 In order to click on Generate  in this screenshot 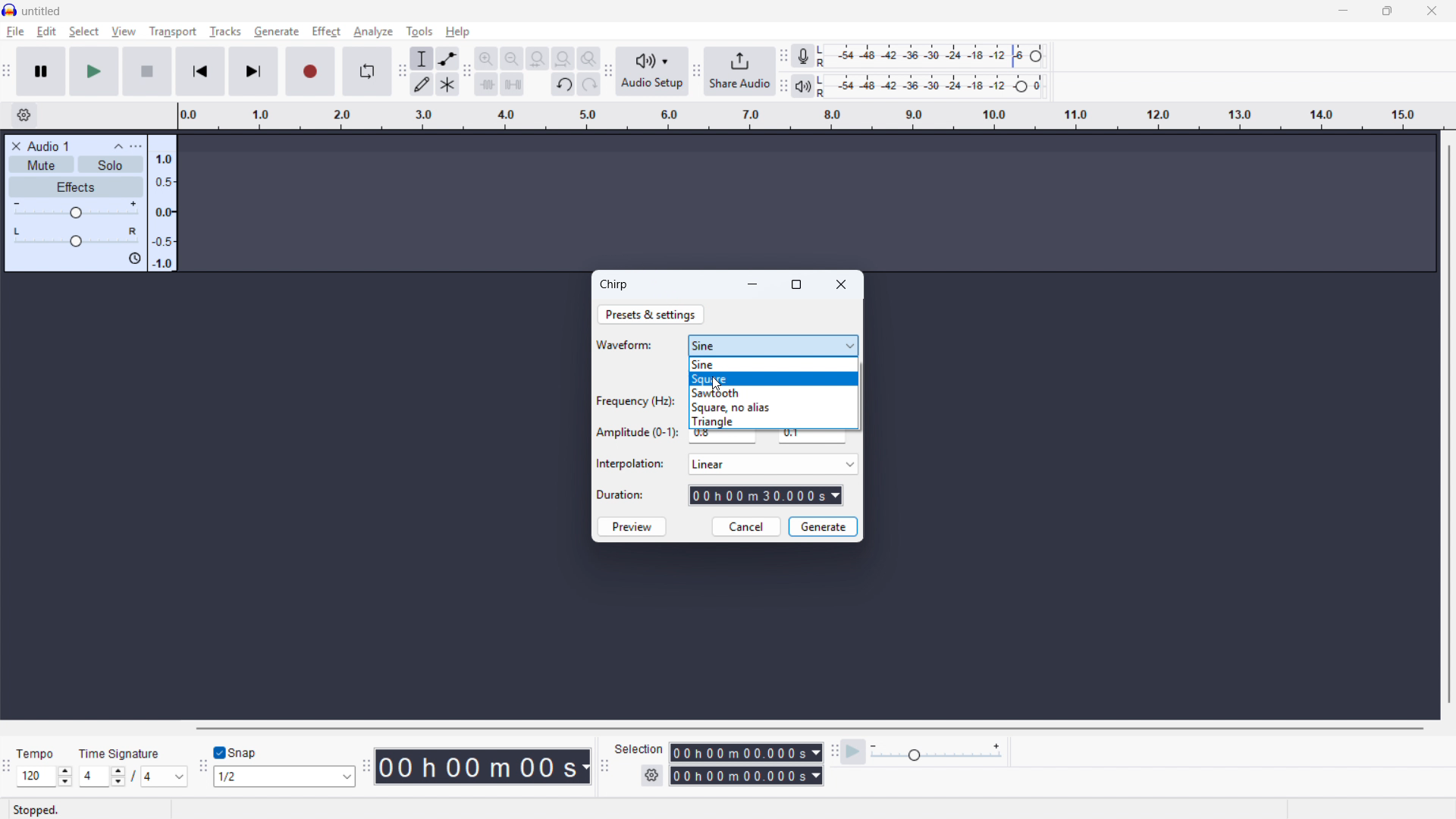, I will do `click(823, 527)`.